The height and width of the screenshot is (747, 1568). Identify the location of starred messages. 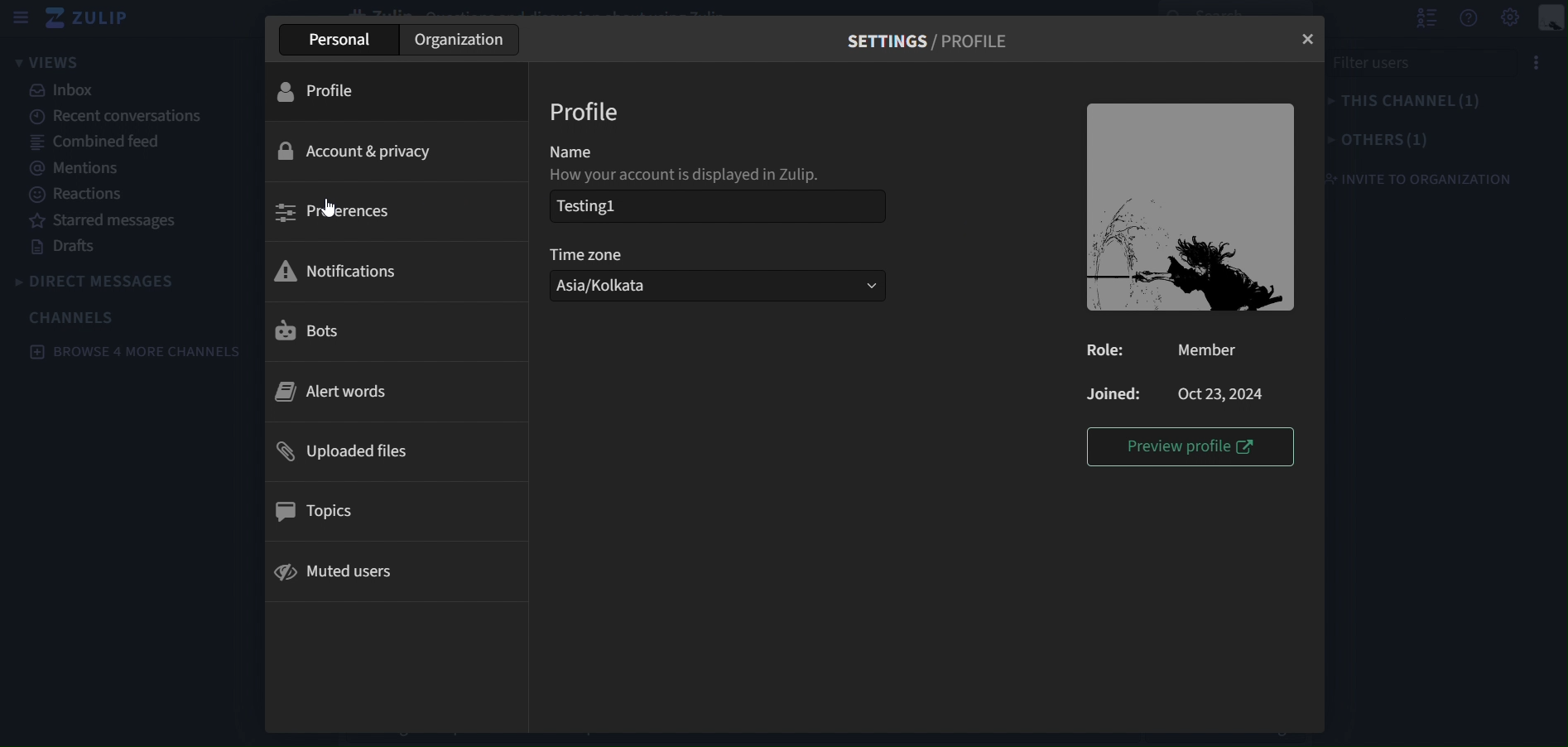
(103, 221).